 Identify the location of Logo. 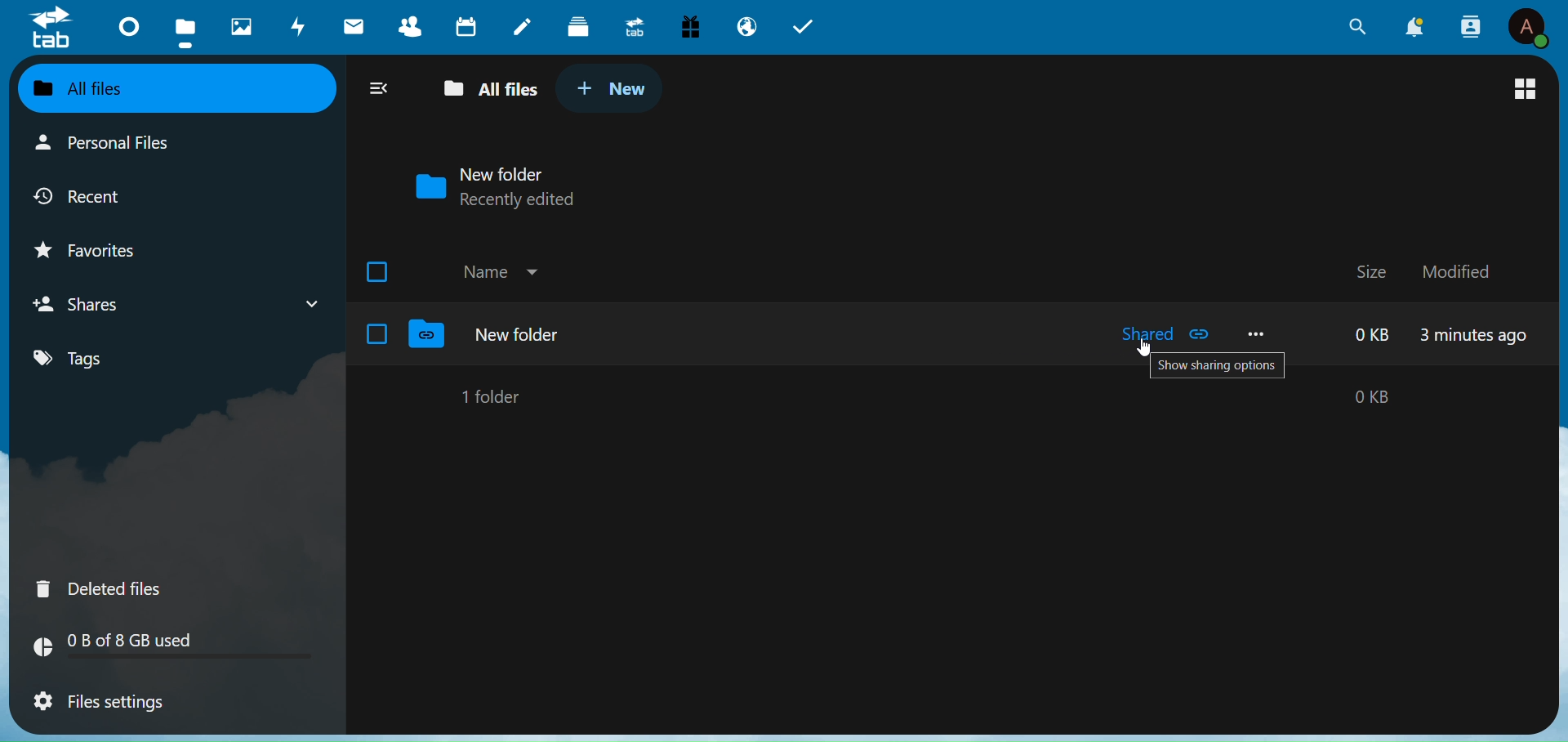
(52, 30).